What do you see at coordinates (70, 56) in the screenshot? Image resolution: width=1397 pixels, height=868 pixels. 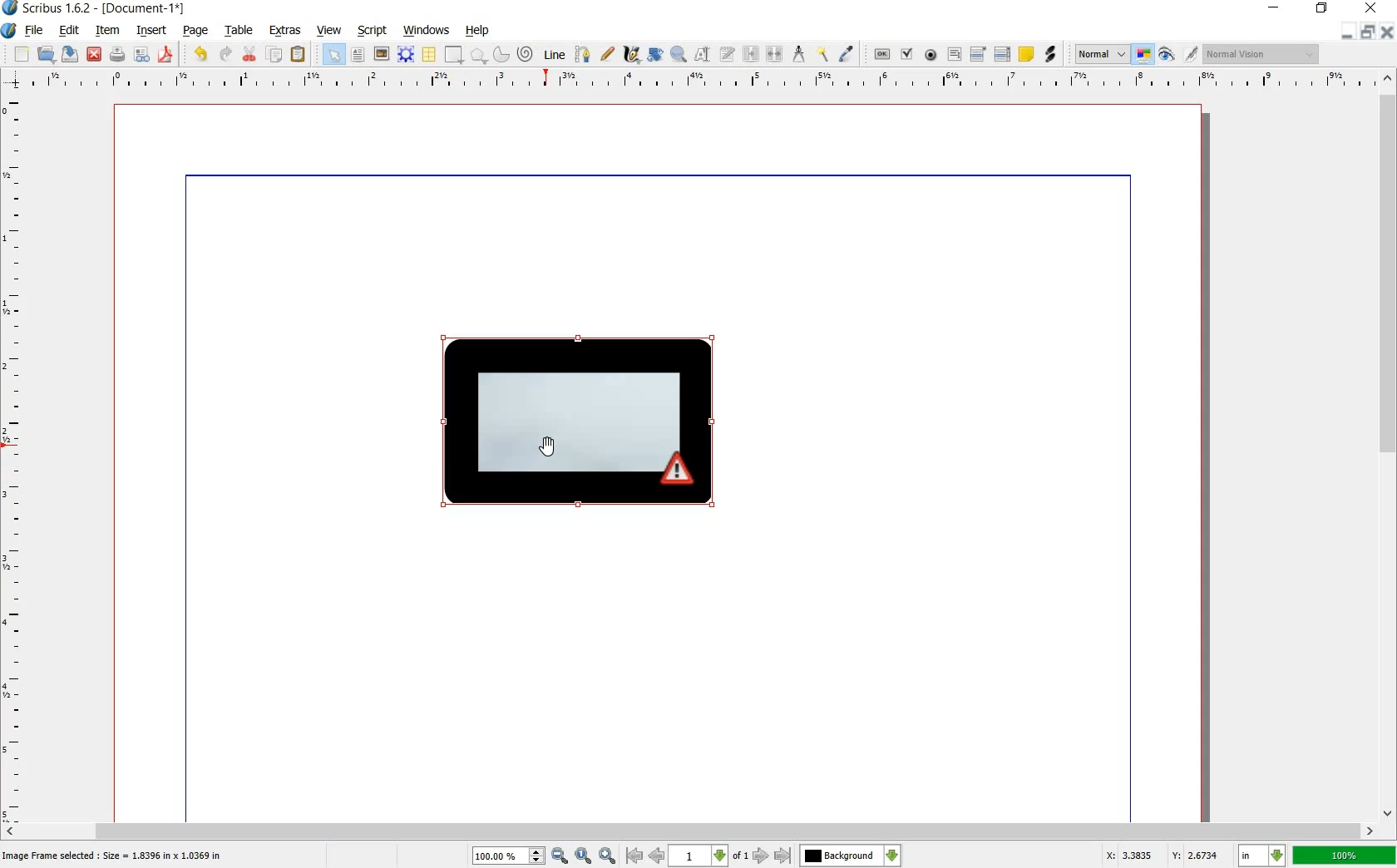 I see `save` at bounding box center [70, 56].